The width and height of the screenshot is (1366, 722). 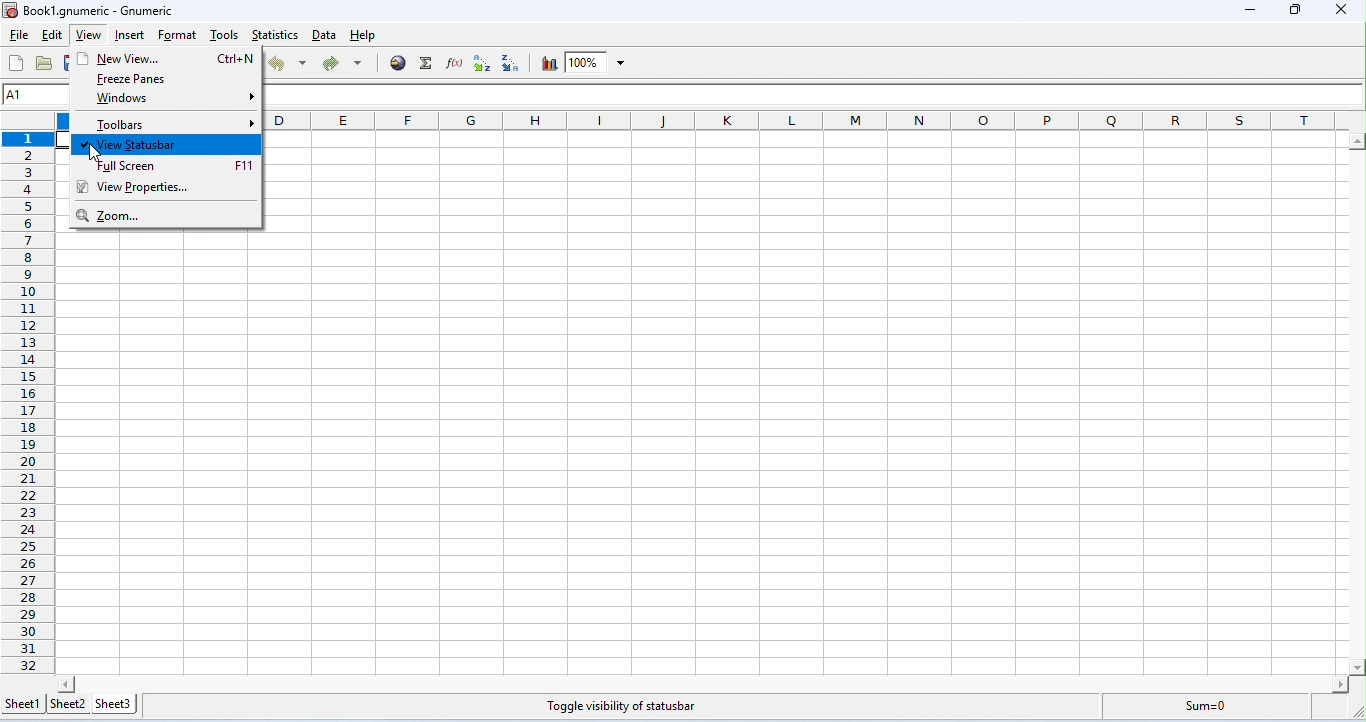 I want to click on freeze panes, so click(x=161, y=79).